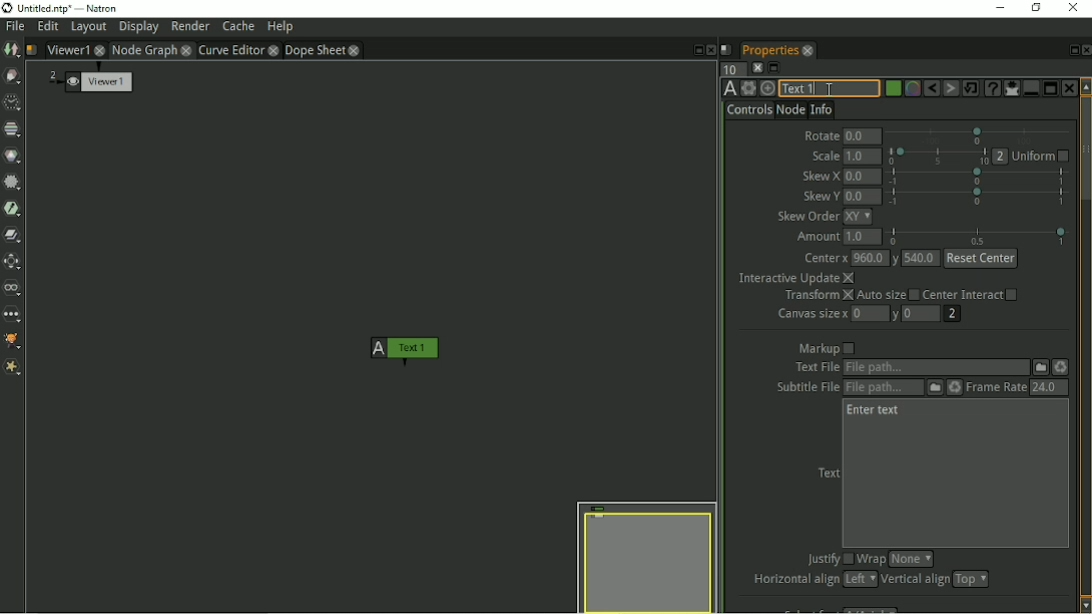  Describe the element at coordinates (975, 579) in the screenshot. I see `top` at that location.